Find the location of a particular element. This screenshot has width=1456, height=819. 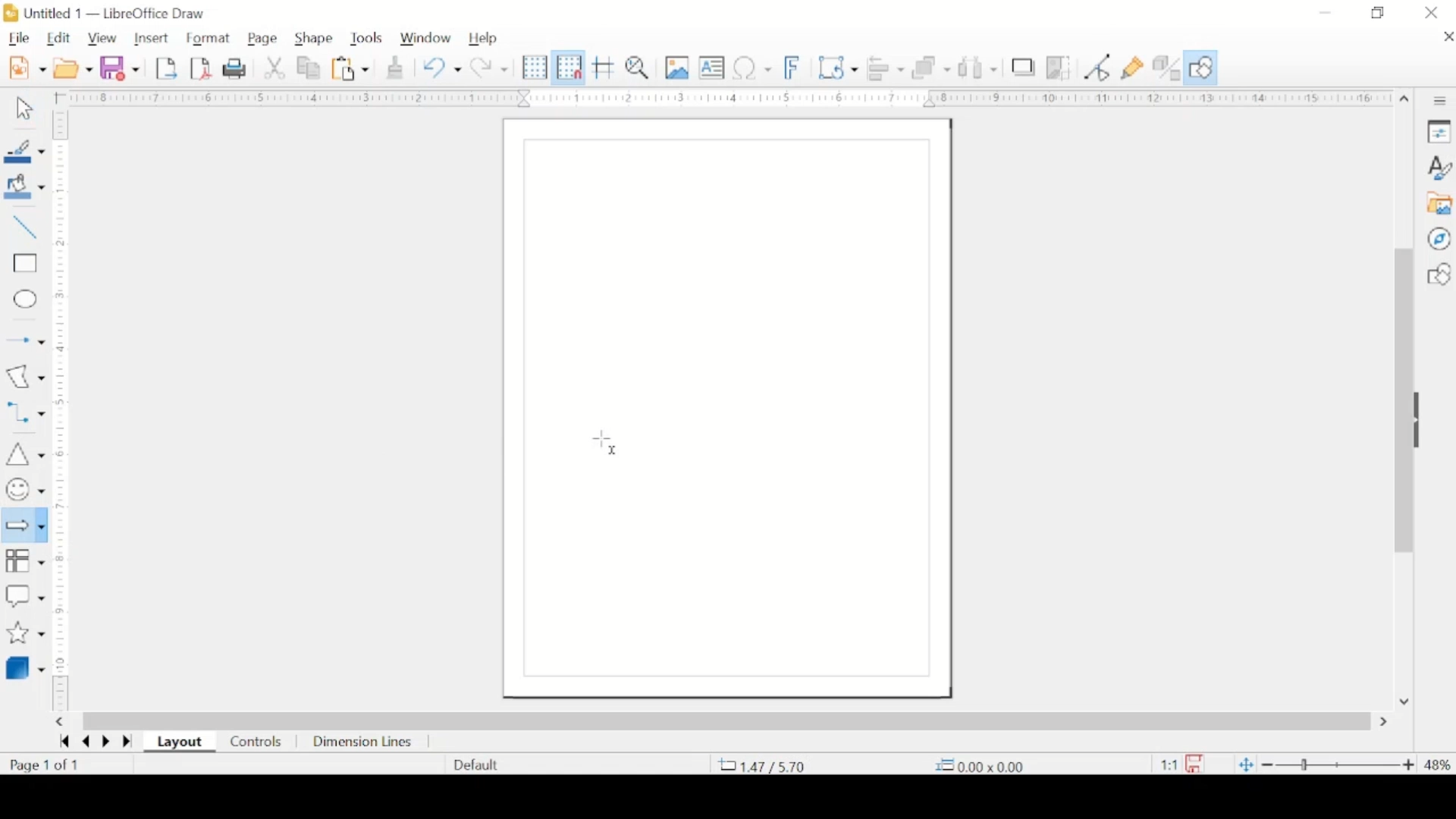

new is located at coordinates (27, 67).